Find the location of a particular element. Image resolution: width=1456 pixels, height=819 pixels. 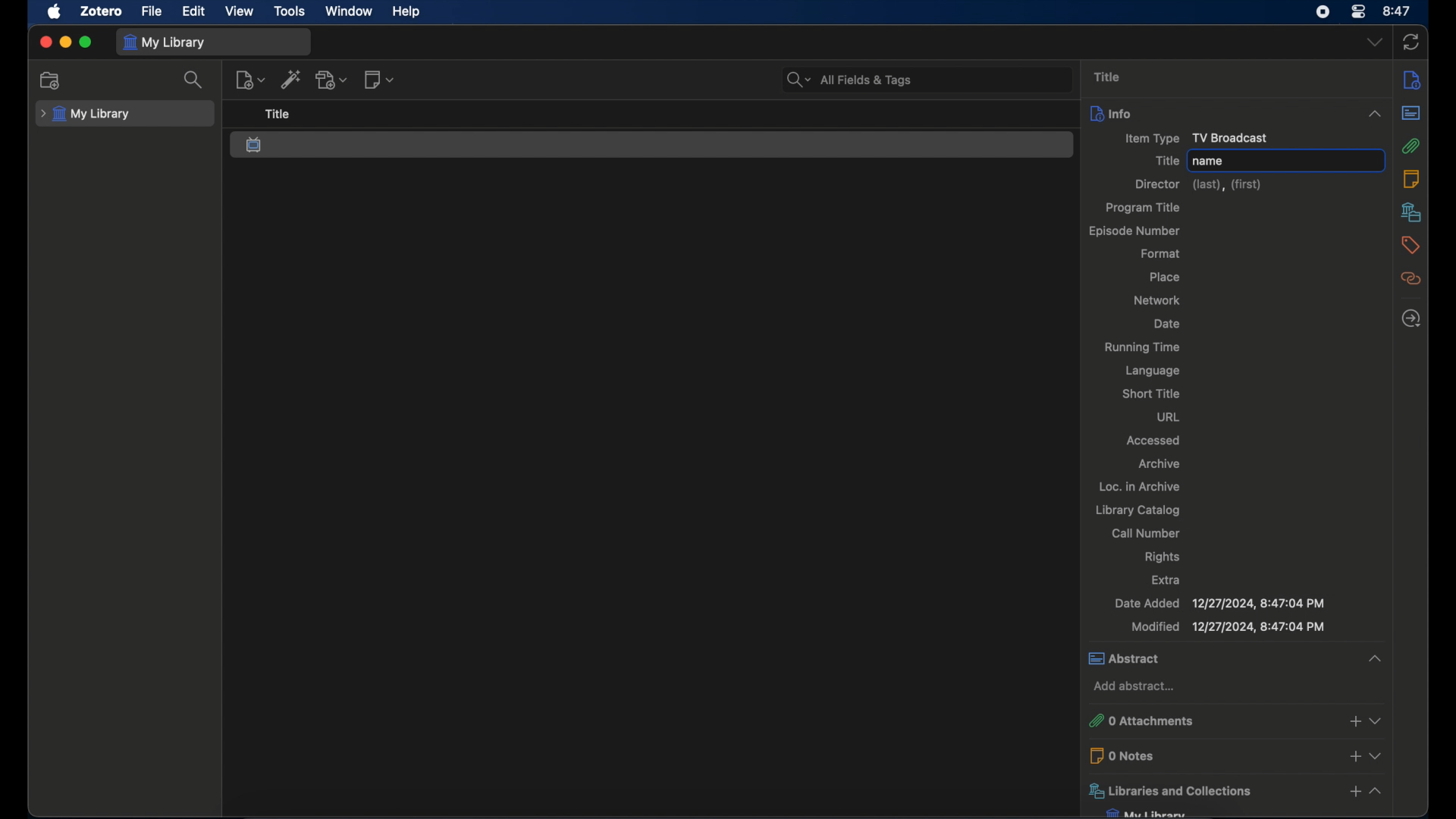

tags is located at coordinates (1411, 245).